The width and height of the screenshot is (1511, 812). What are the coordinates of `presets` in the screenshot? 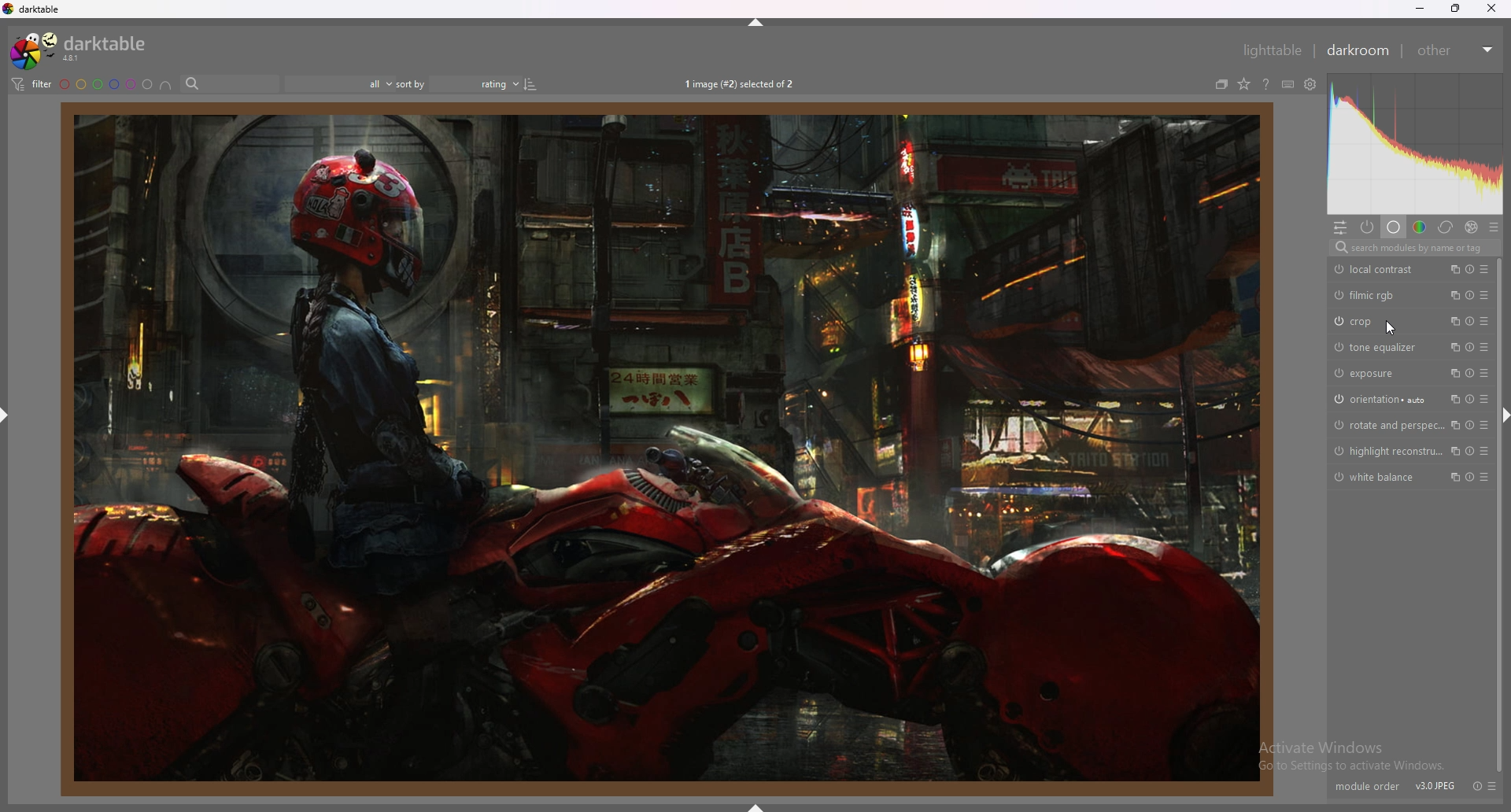 It's located at (1493, 227).